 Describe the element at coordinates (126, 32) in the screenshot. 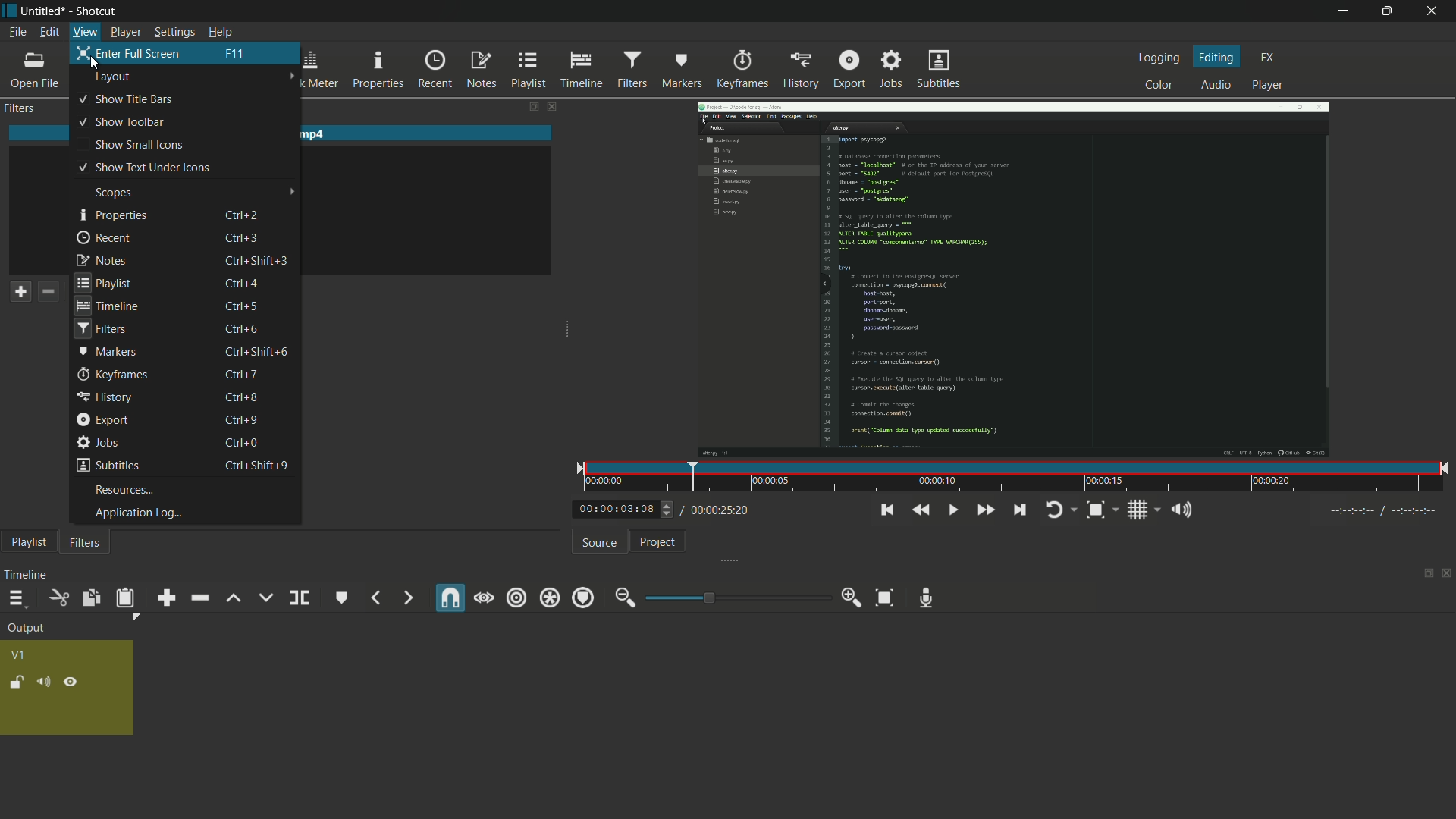

I see `player` at that location.